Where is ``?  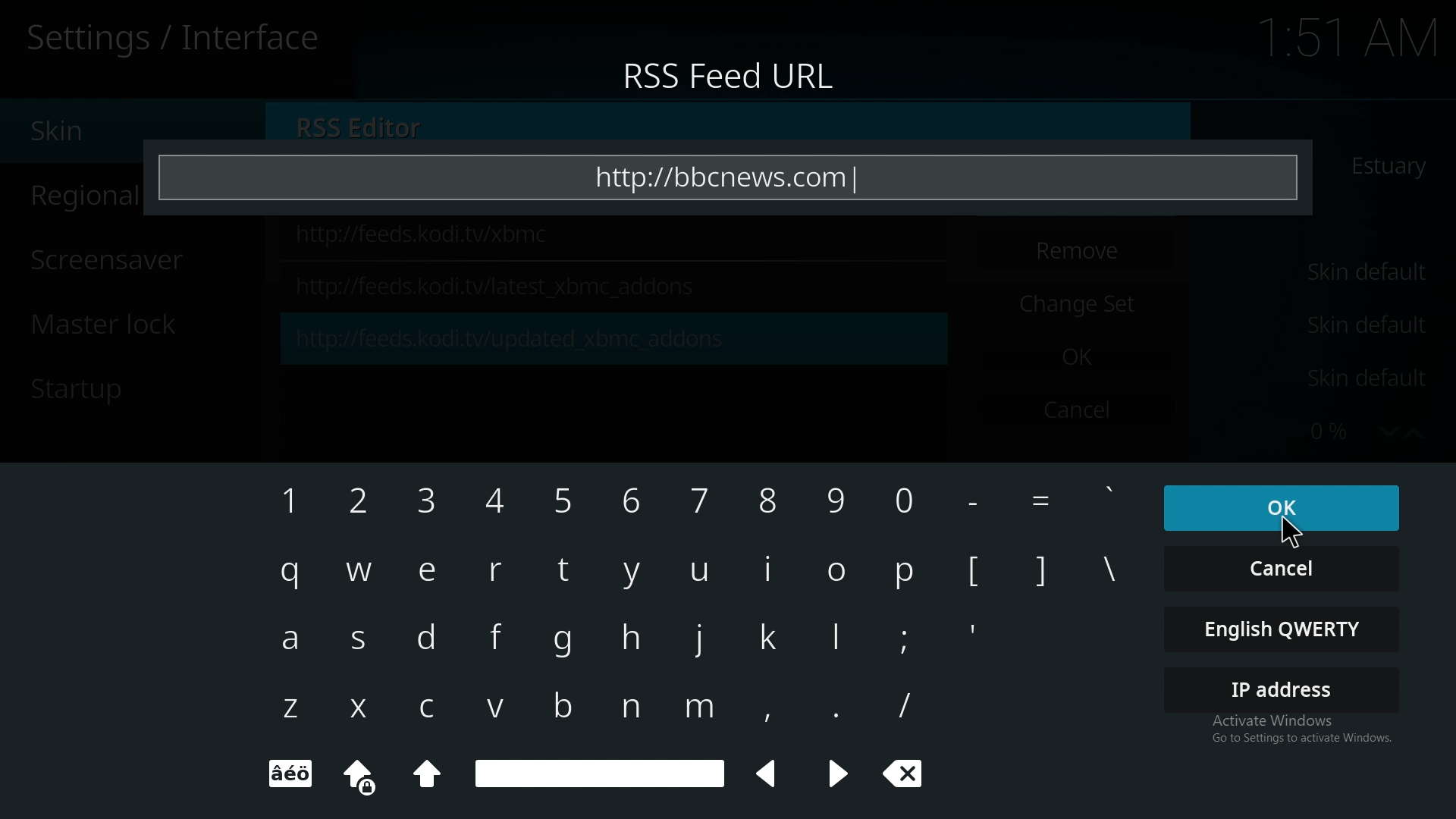  is located at coordinates (984, 506).